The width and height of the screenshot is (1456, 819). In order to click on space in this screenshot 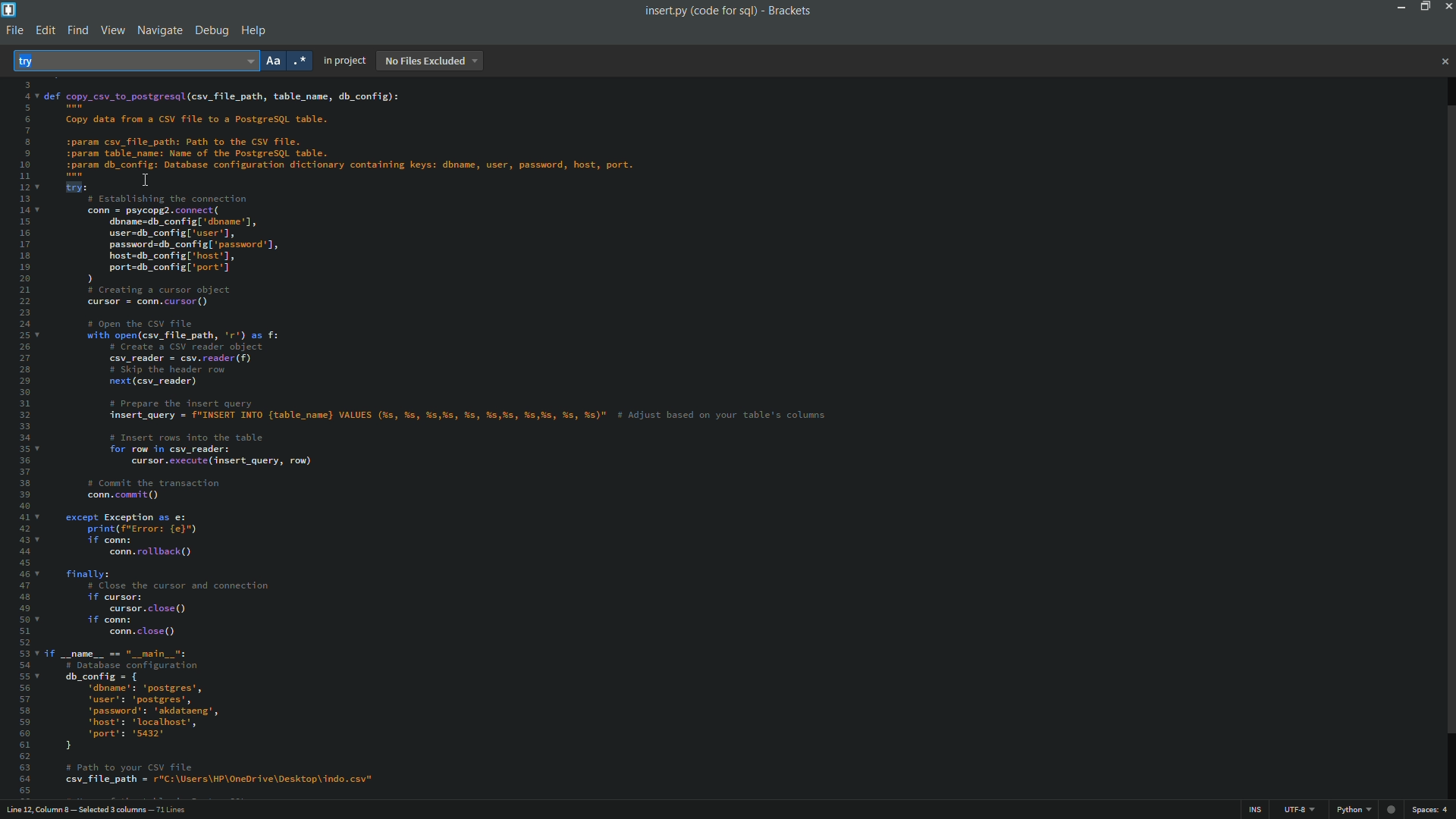, I will do `click(1432, 810)`.